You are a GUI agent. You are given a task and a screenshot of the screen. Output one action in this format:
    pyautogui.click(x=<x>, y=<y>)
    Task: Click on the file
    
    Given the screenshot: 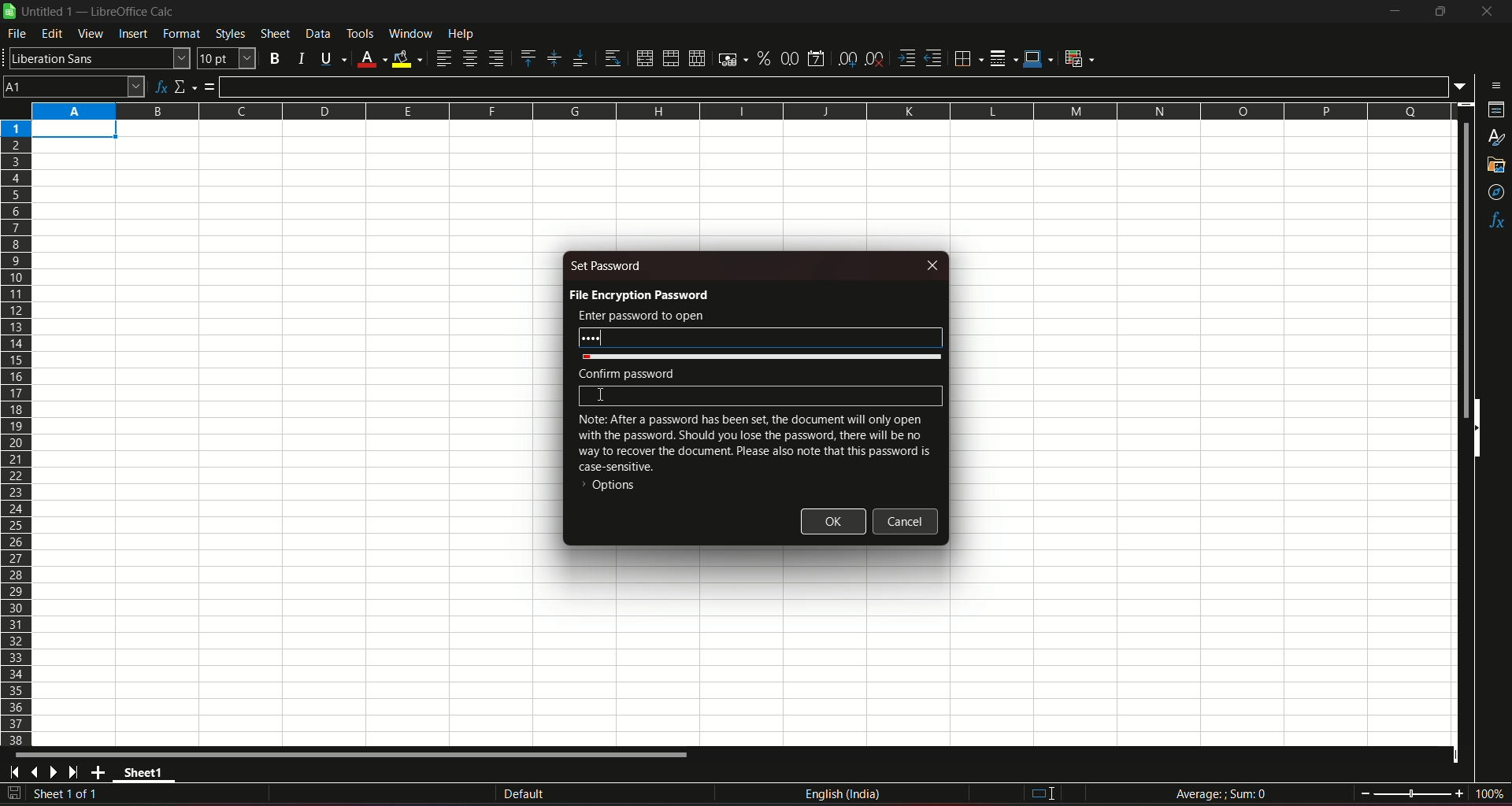 What is the action you would take?
    pyautogui.click(x=18, y=36)
    